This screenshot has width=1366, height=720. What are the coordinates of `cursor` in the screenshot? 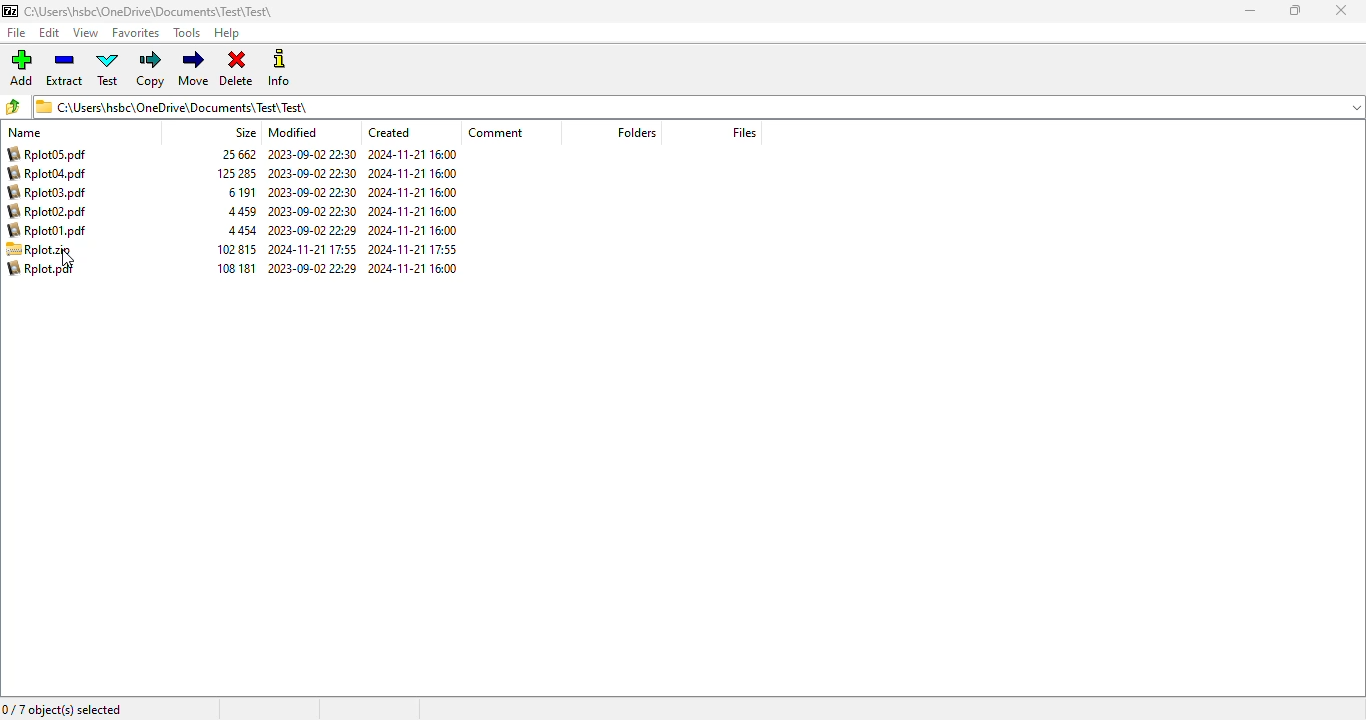 It's located at (69, 260).